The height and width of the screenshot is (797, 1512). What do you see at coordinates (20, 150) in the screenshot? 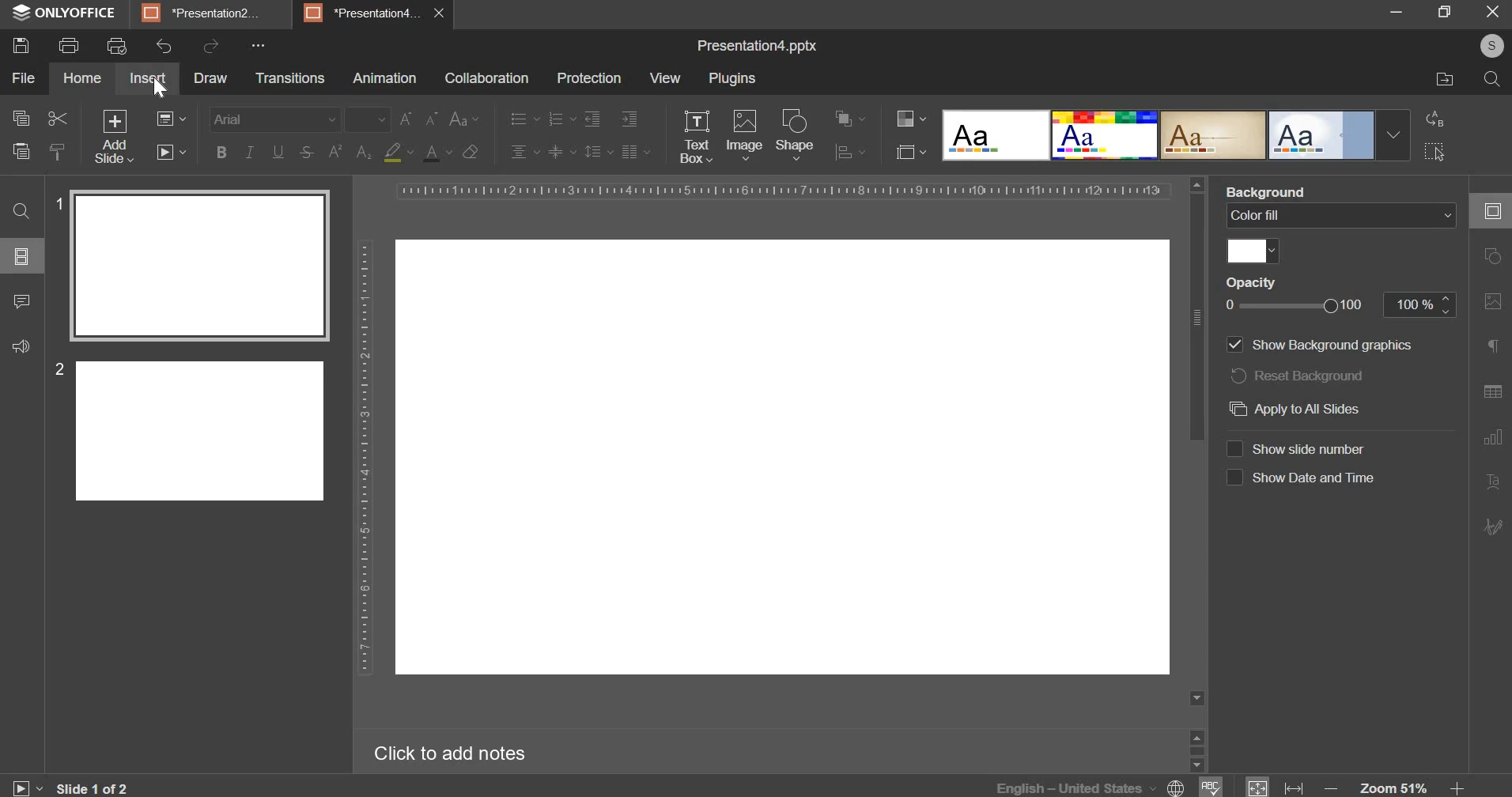
I see `paste` at bounding box center [20, 150].